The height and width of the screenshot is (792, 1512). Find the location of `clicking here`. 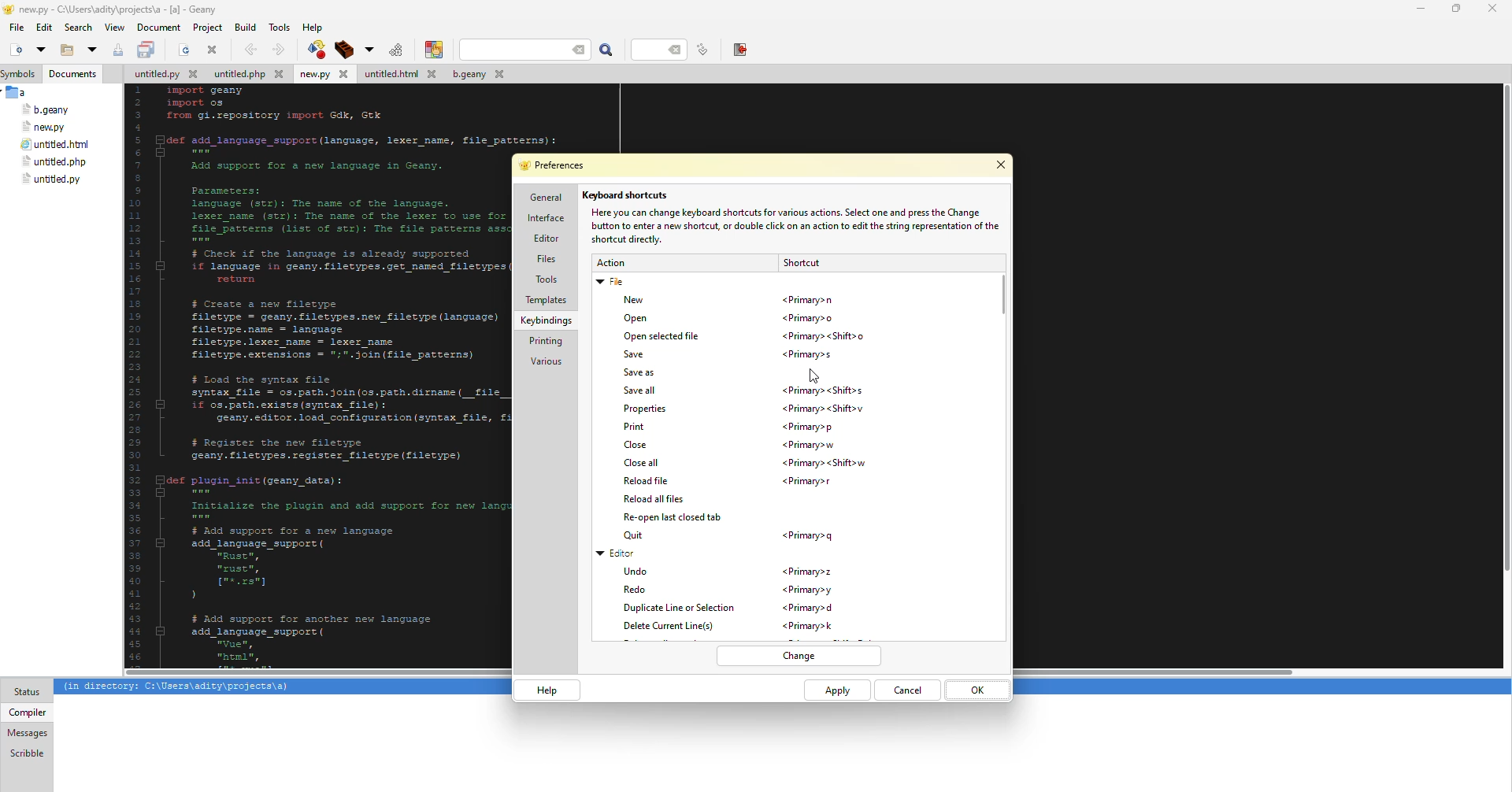

clicking here is located at coordinates (813, 371).